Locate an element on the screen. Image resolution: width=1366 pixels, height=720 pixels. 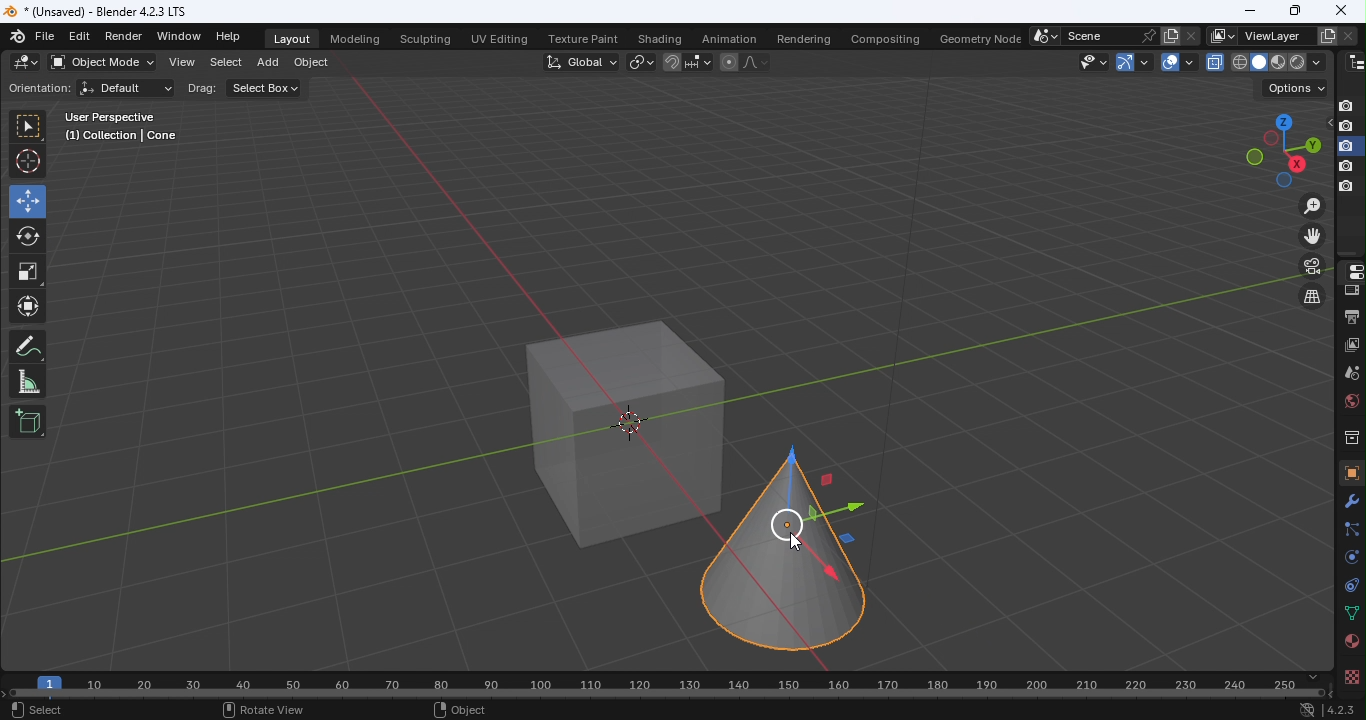
Sets the objects interaction mode is located at coordinates (101, 63).